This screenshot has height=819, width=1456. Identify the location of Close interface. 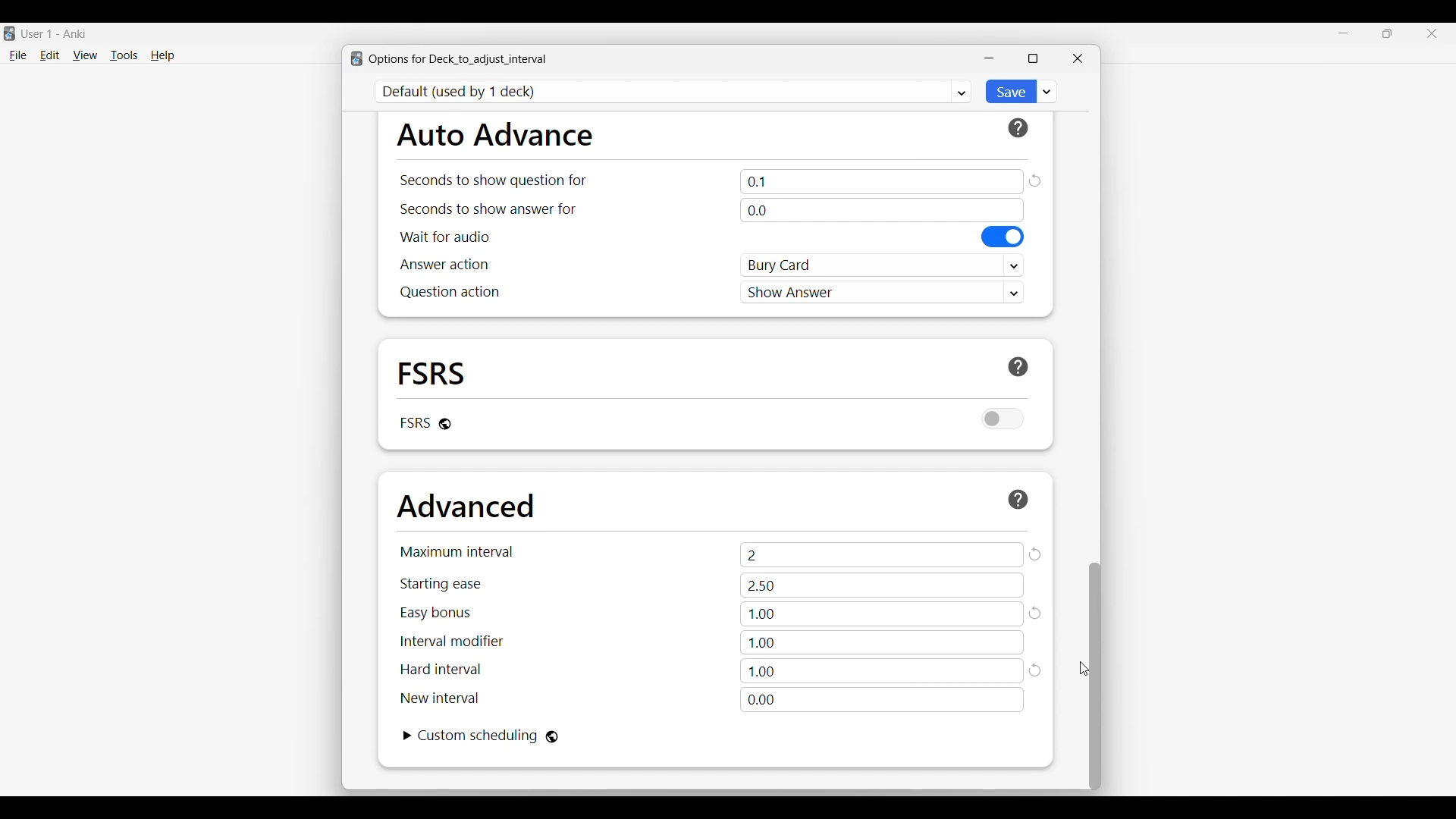
(1432, 33).